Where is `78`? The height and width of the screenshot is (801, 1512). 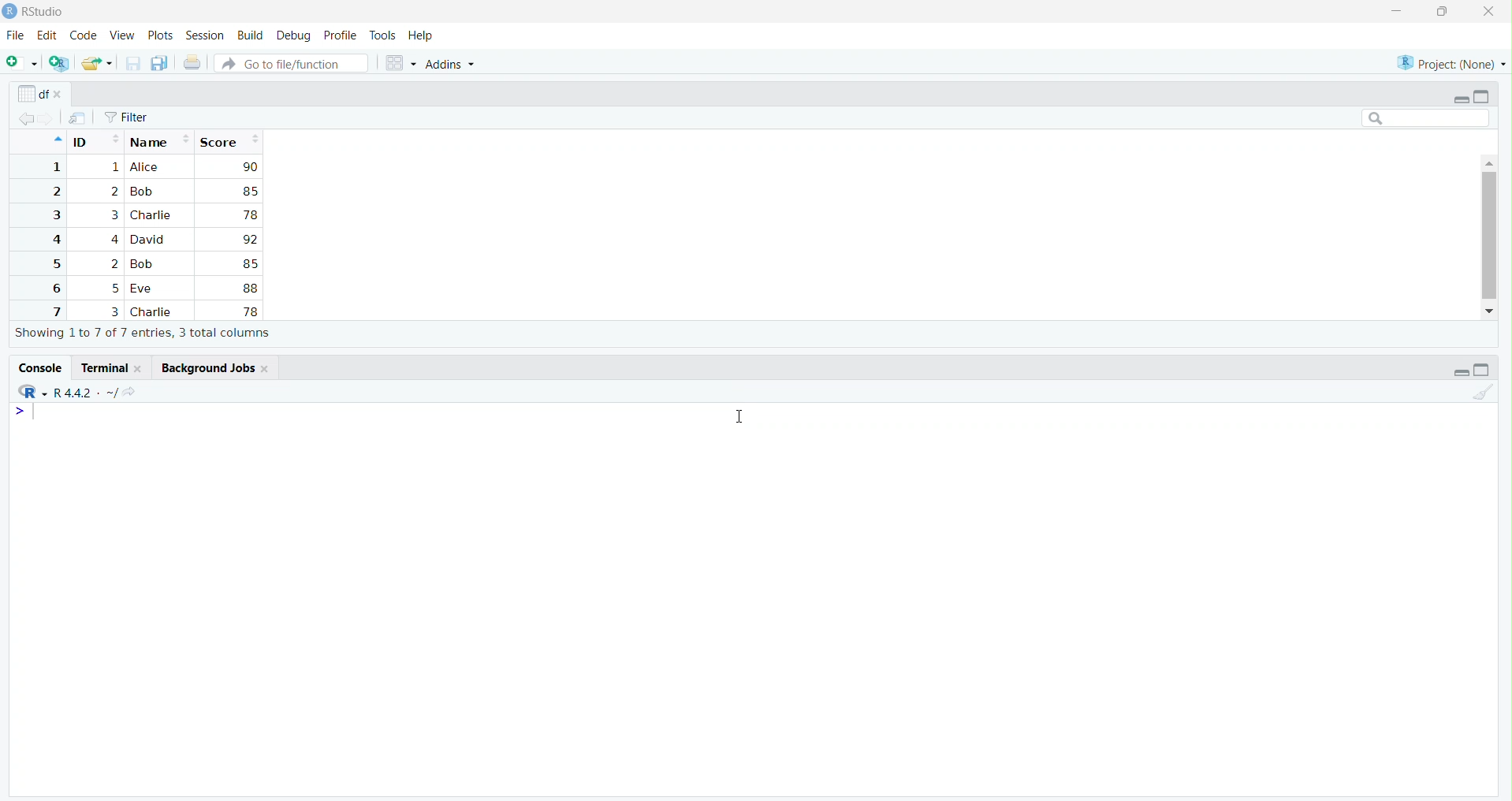 78 is located at coordinates (249, 311).